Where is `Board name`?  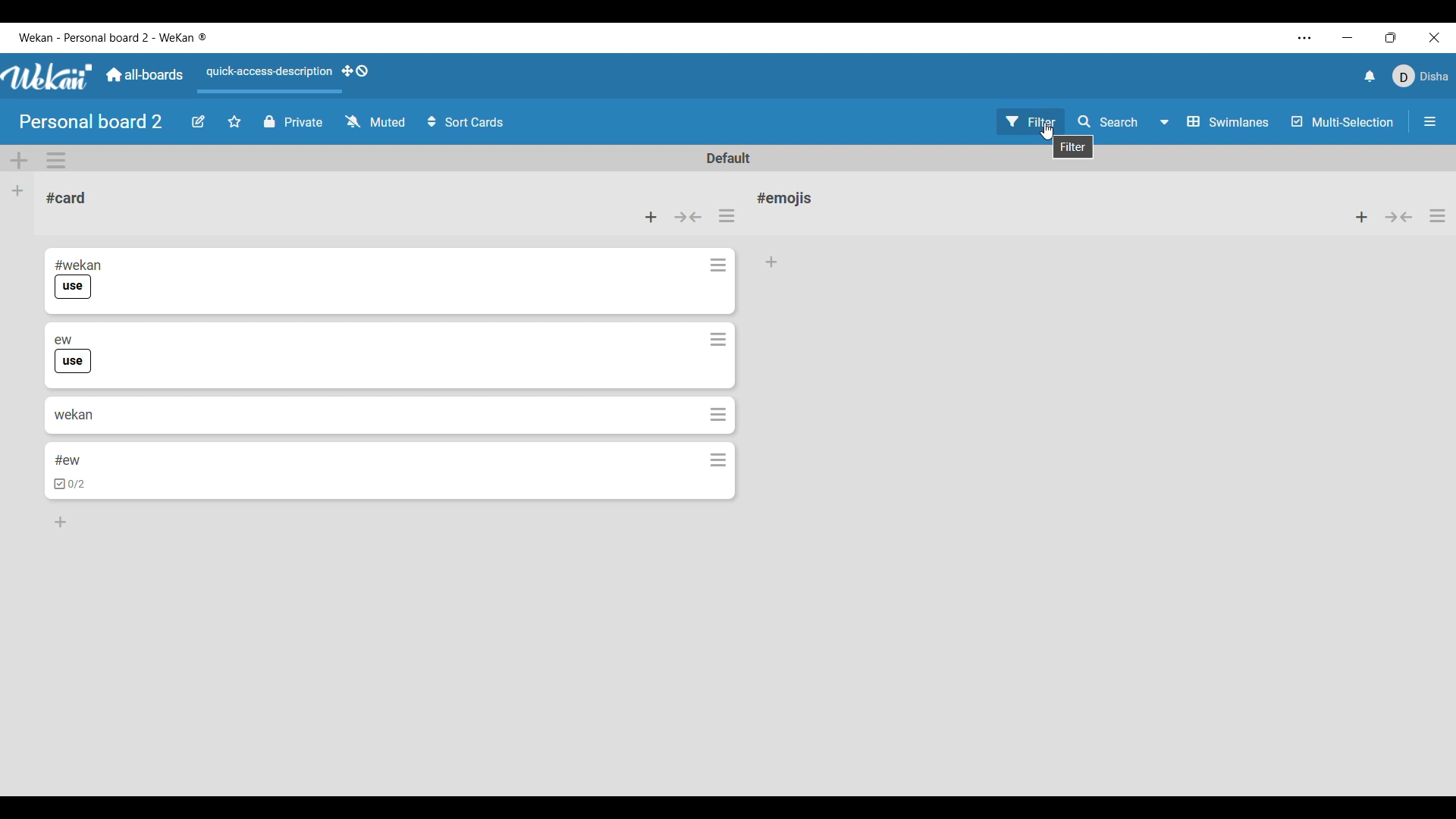
Board name is located at coordinates (90, 121).